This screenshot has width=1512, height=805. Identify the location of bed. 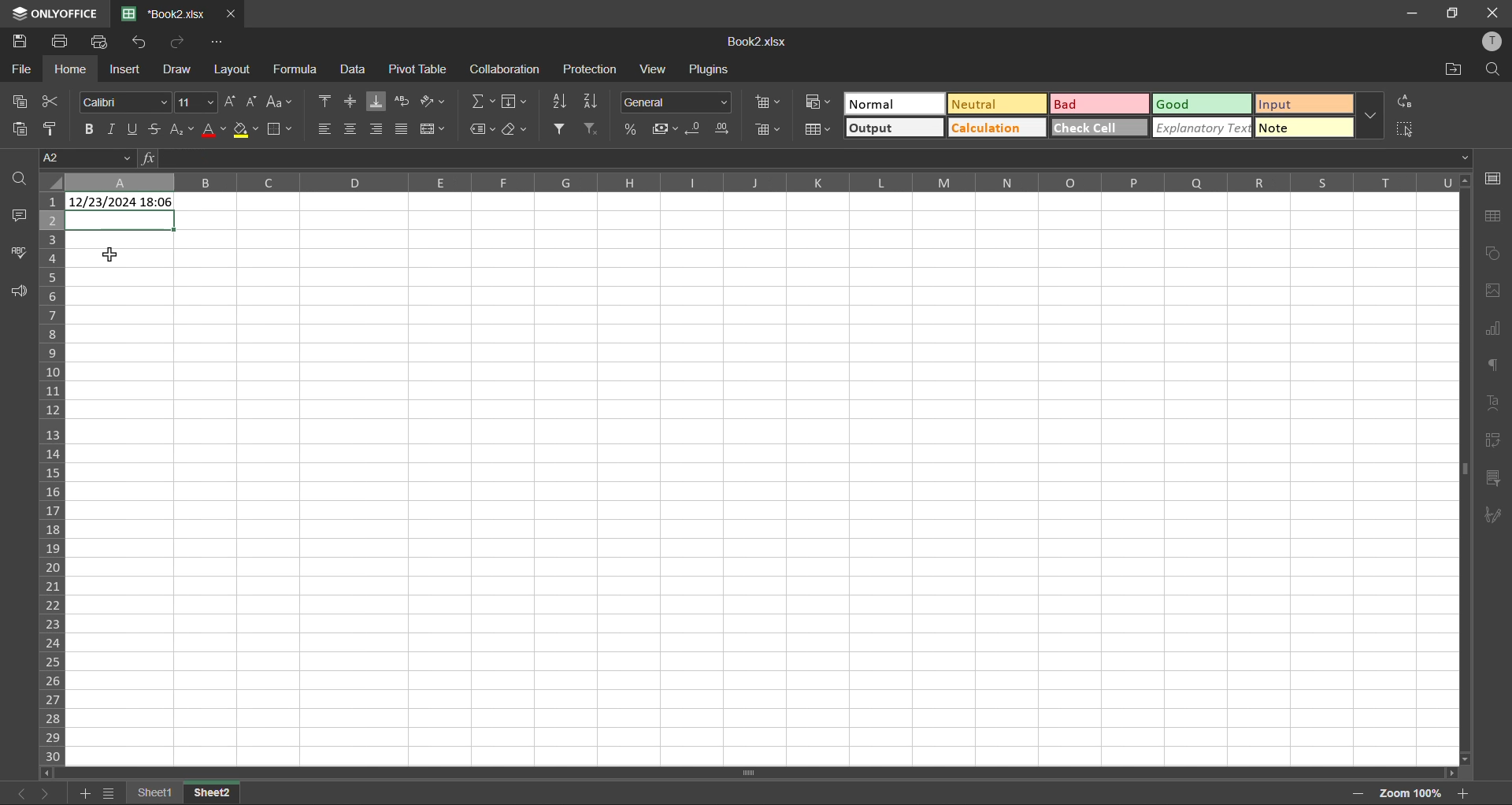
(1098, 106).